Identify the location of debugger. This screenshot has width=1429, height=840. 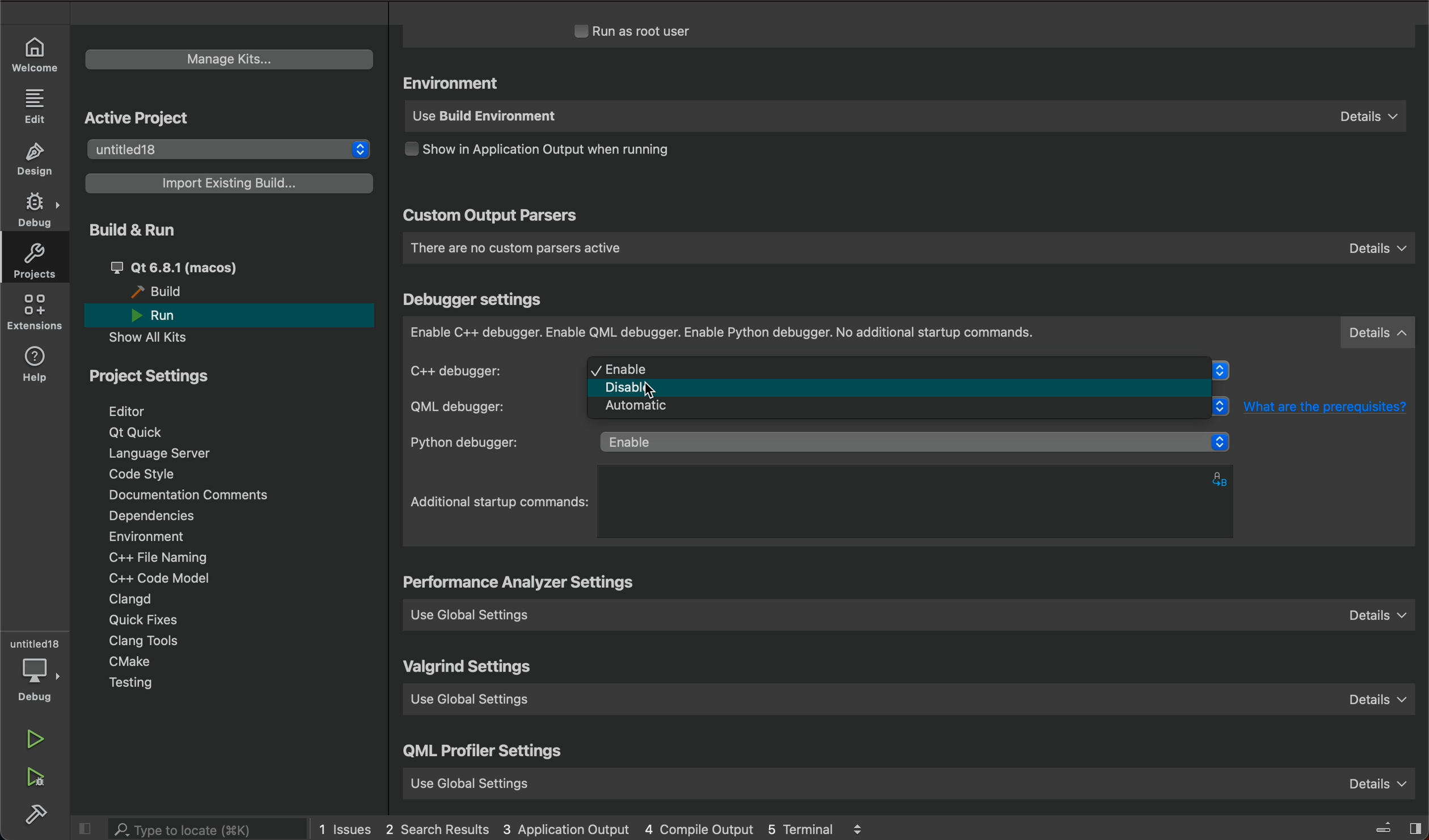
(910, 333).